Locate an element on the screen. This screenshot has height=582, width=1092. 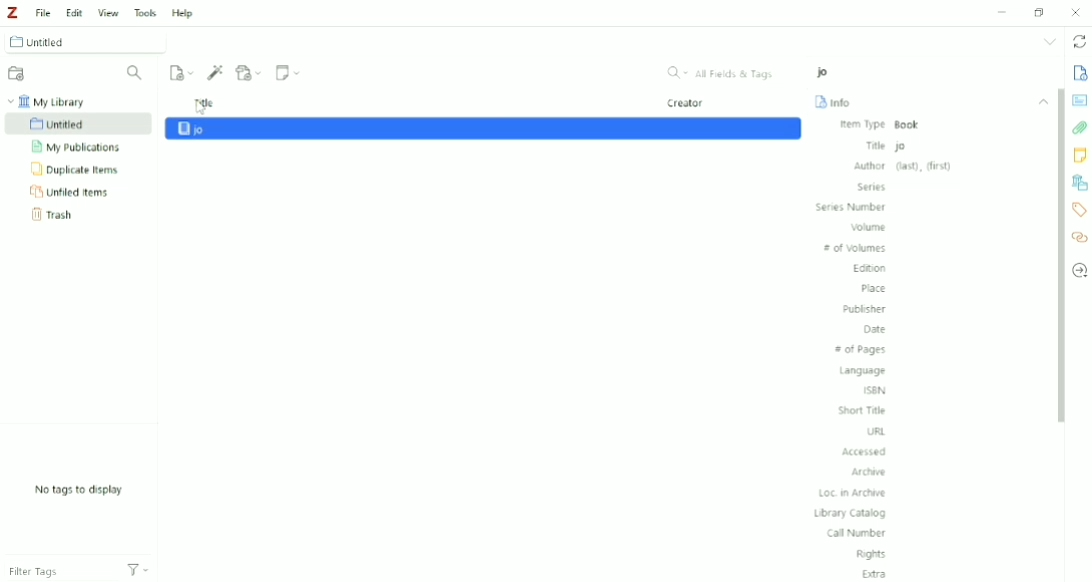
Creator is located at coordinates (687, 104).